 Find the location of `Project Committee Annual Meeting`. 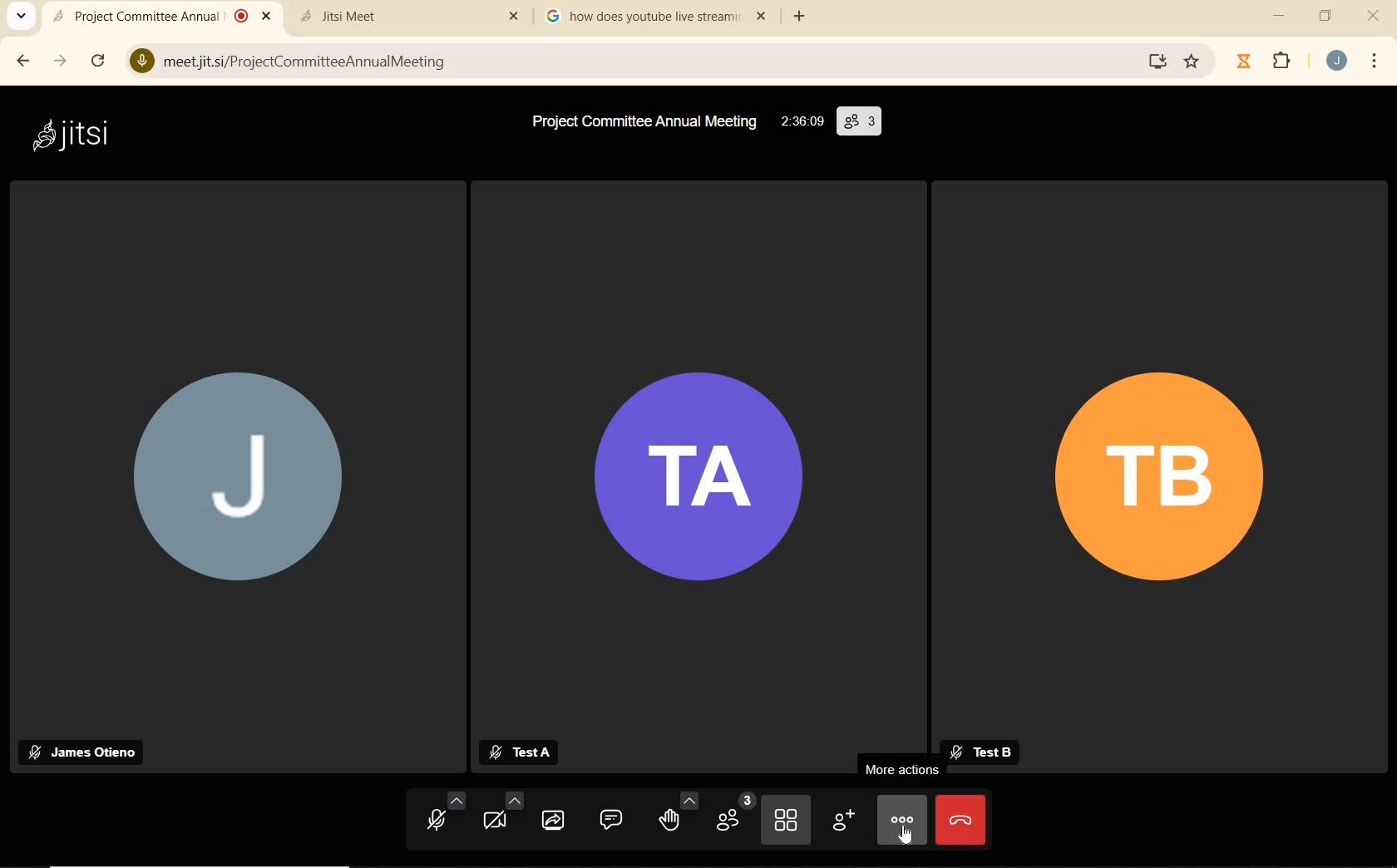

Project Committee Annual Meeting is located at coordinates (643, 123).